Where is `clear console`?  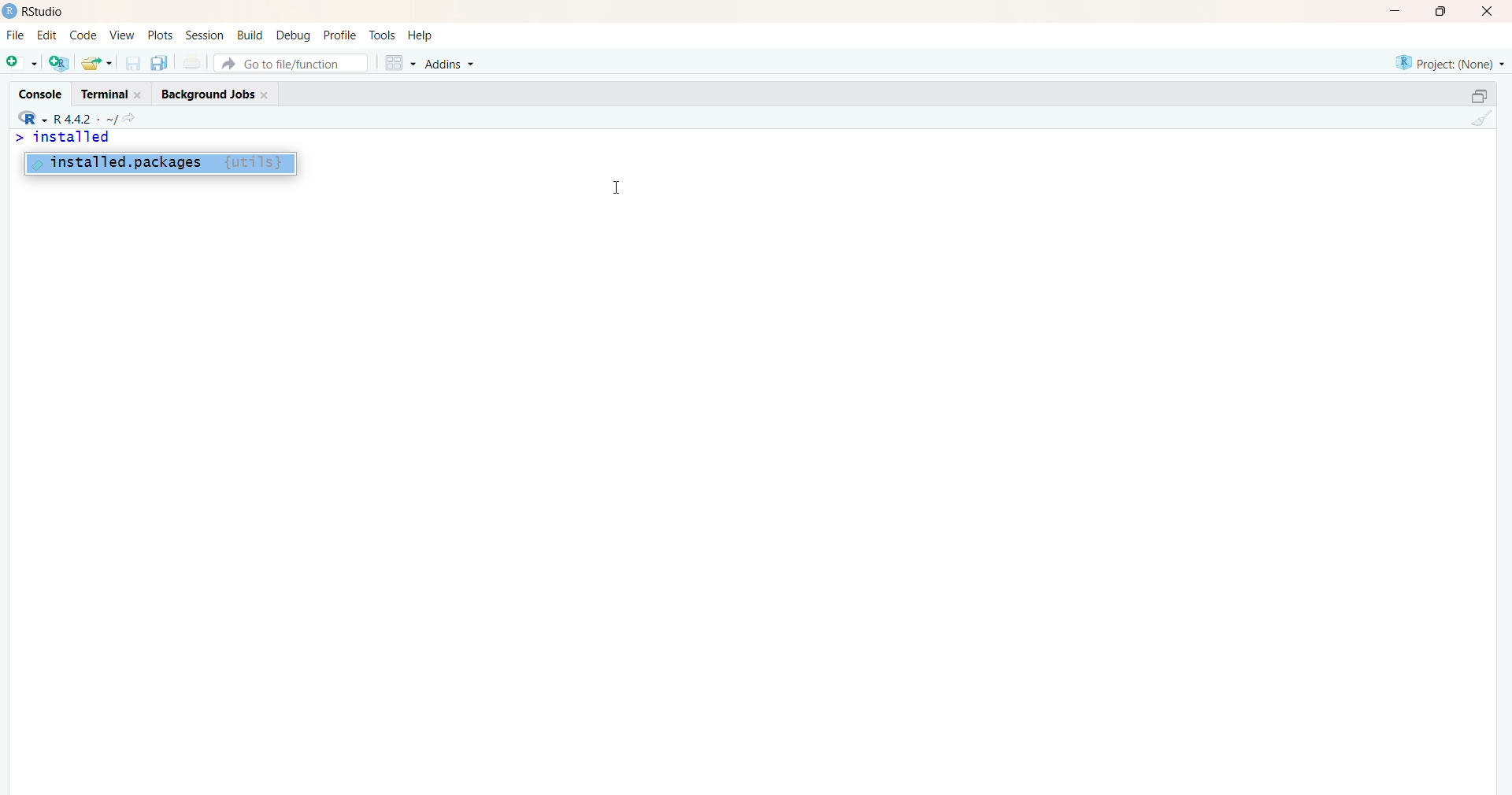 clear console is located at coordinates (1480, 120).